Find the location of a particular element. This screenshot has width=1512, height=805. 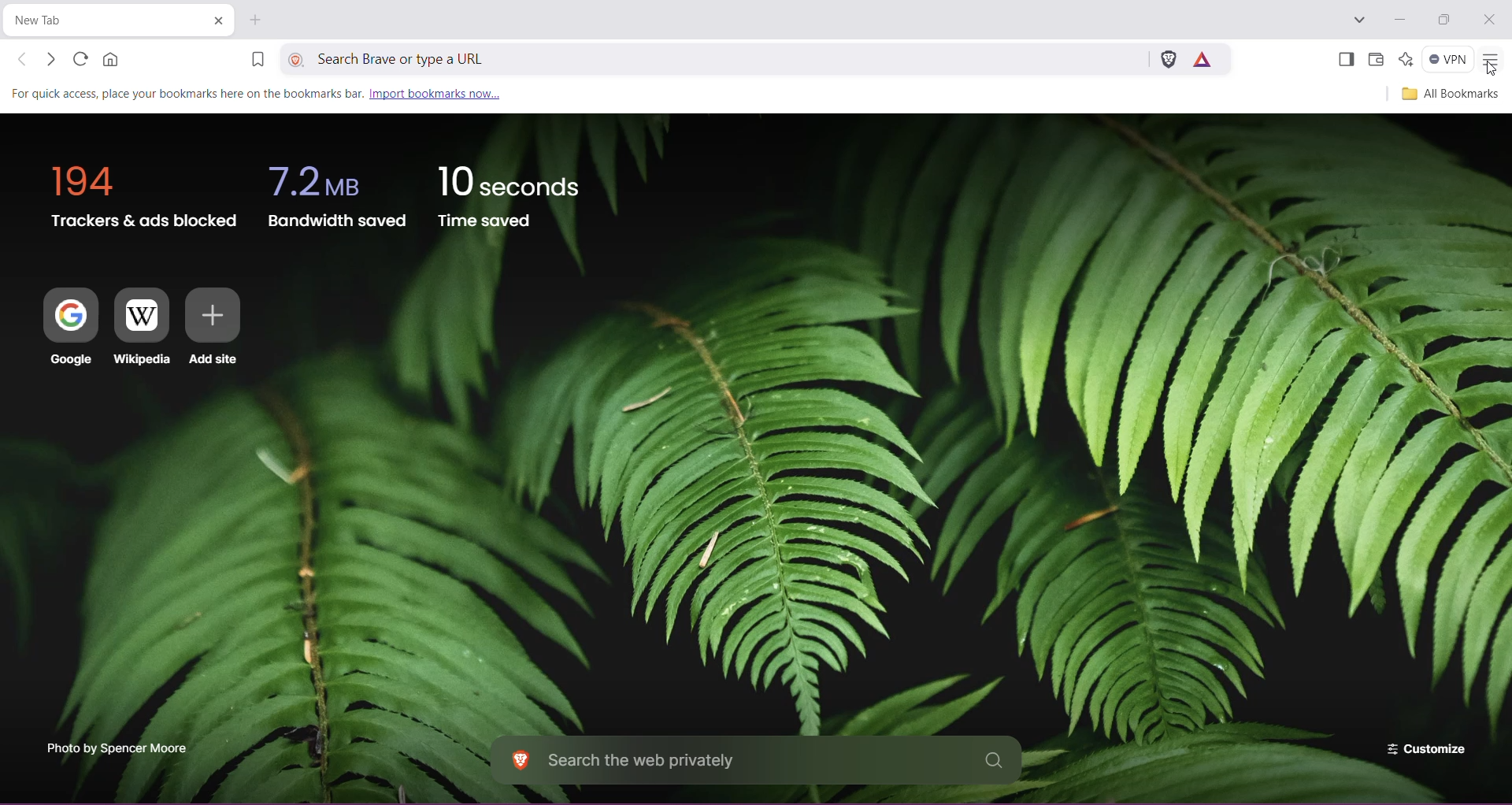

Leo AI is located at coordinates (1404, 58).